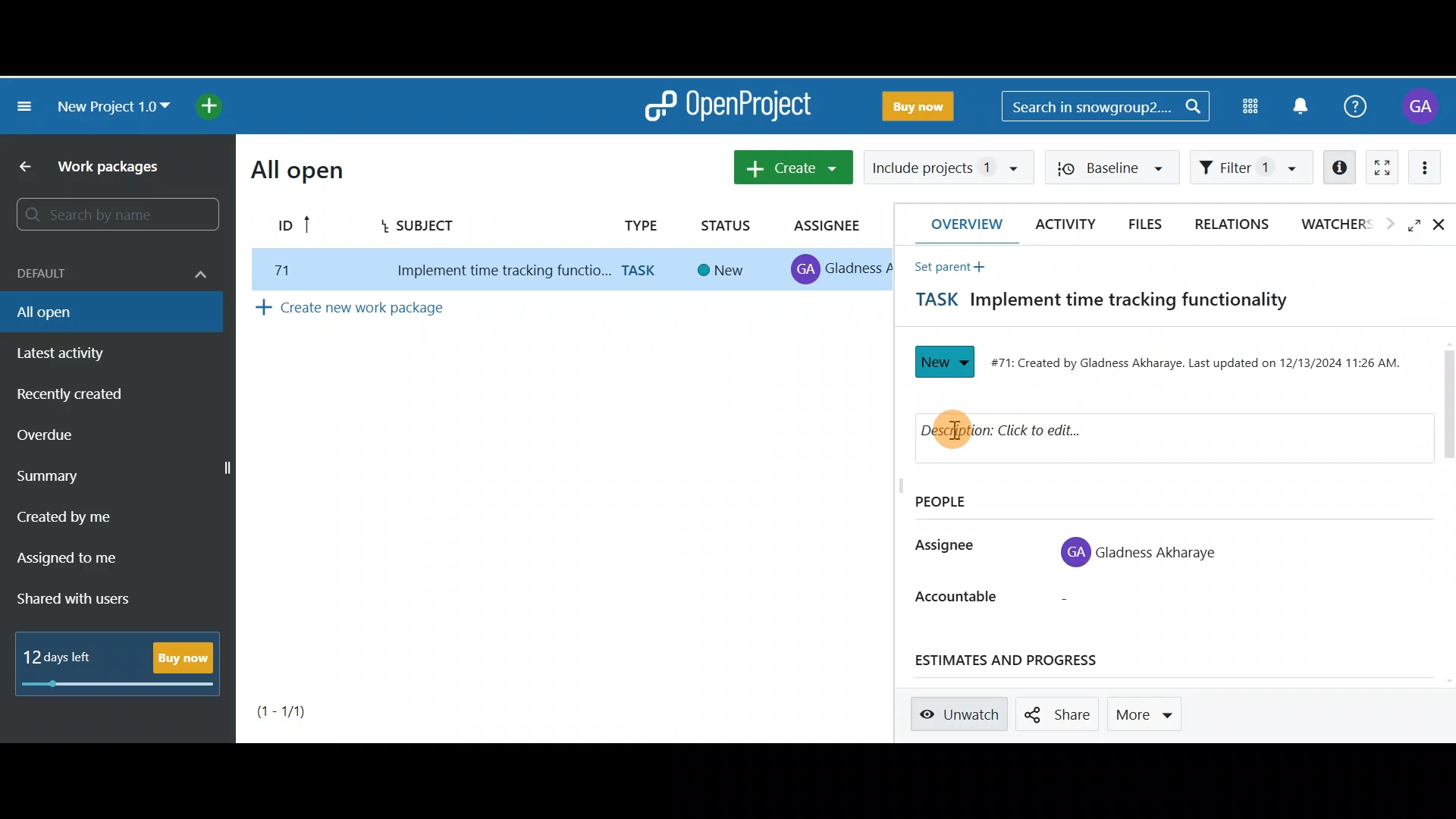 This screenshot has width=1456, height=819. What do you see at coordinates (82, 598) in the screenshot?
I see `Shared with users` at bounding box center [82, 598].